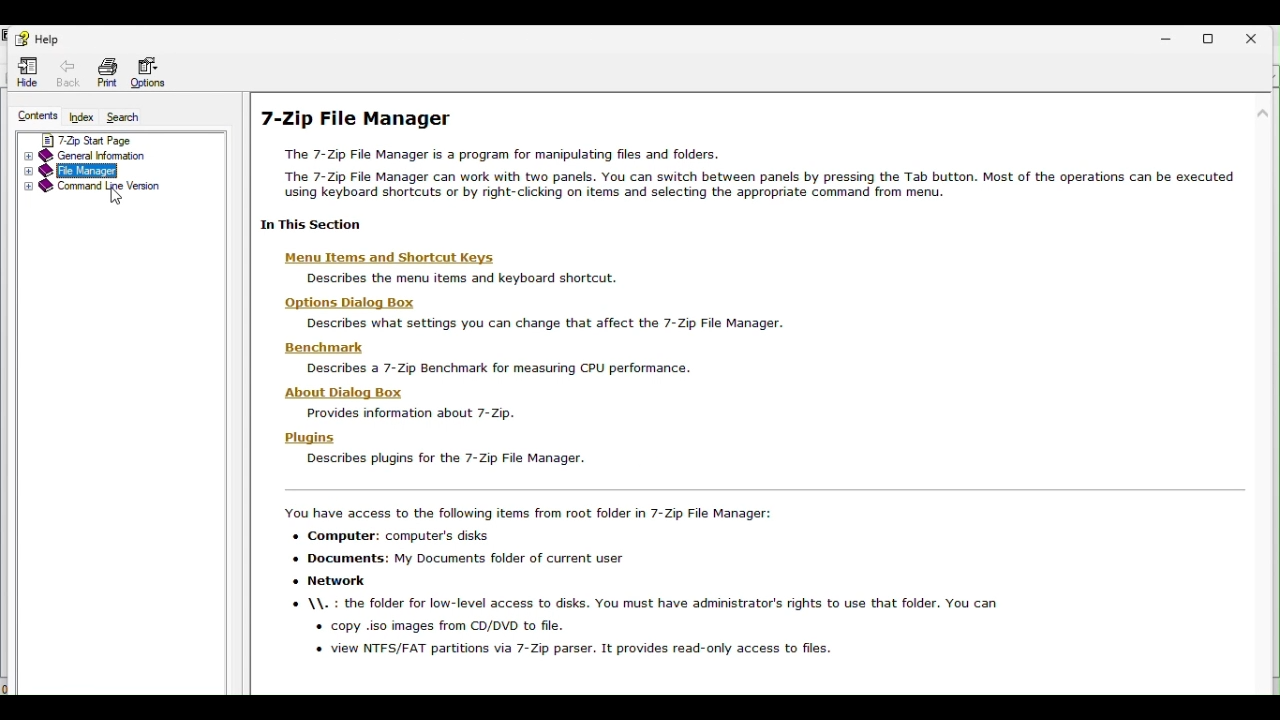  What do you see at coordinates (445, 458) in the screenshot?
I see `| Describes plugins for the 7-Zip File Manager.` at bounding box center [445, 458].